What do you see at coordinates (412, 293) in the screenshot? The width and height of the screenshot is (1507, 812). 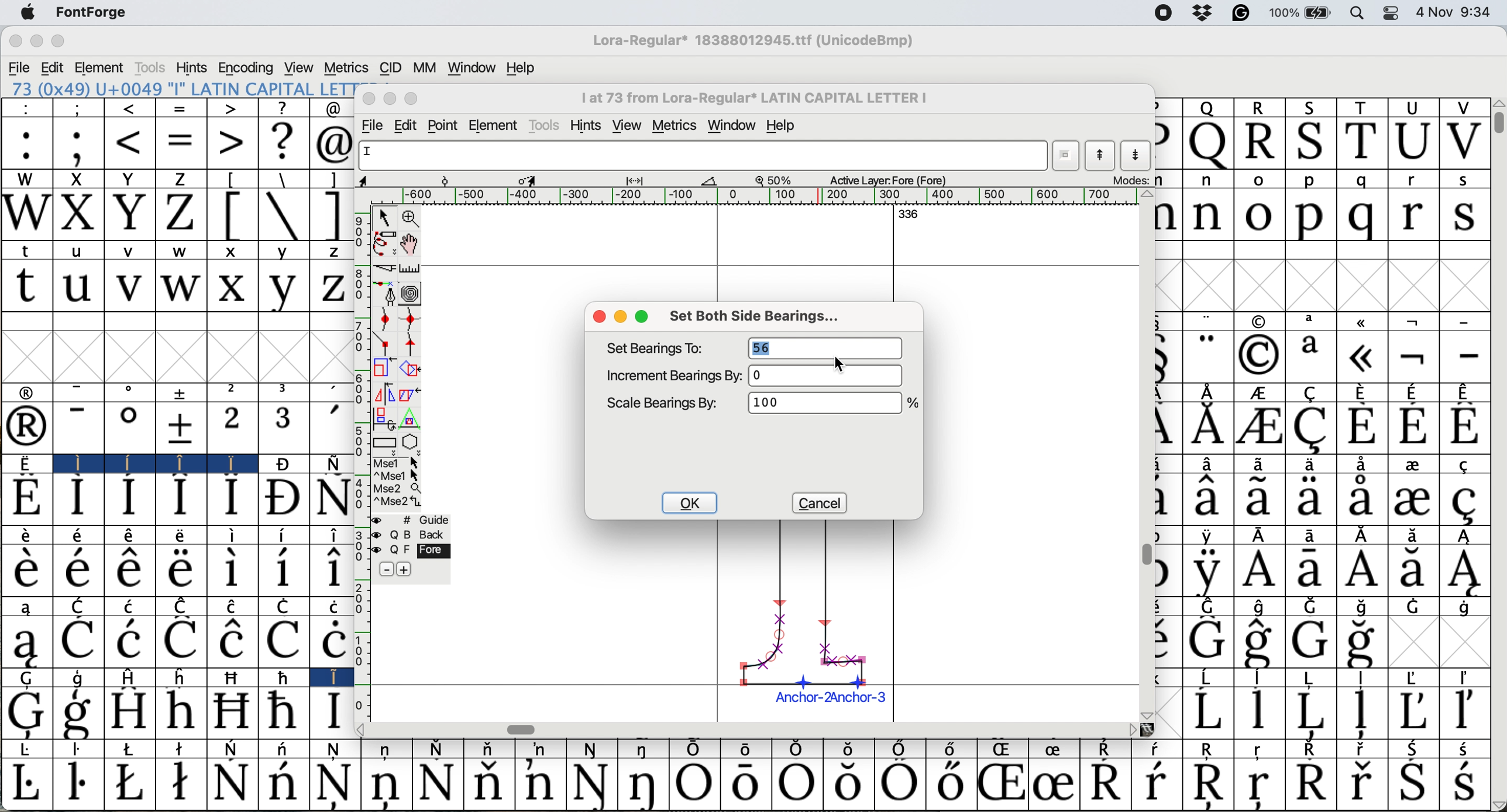 I see `change whether spiro is active or not` at bounding box center [412, 293].